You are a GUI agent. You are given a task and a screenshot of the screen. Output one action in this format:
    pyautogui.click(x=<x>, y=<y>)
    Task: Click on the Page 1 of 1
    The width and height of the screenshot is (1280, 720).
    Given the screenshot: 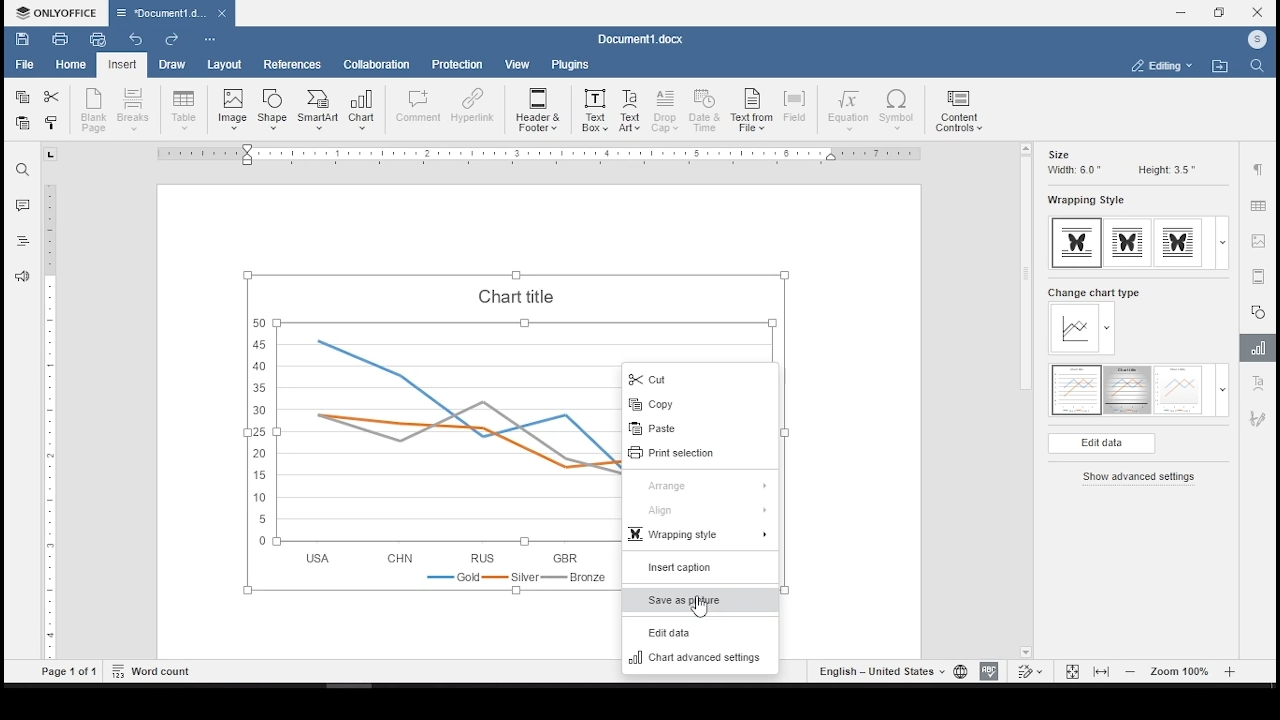 What is the action you would take?
    pyautogui.click(x=69, y=672)
    